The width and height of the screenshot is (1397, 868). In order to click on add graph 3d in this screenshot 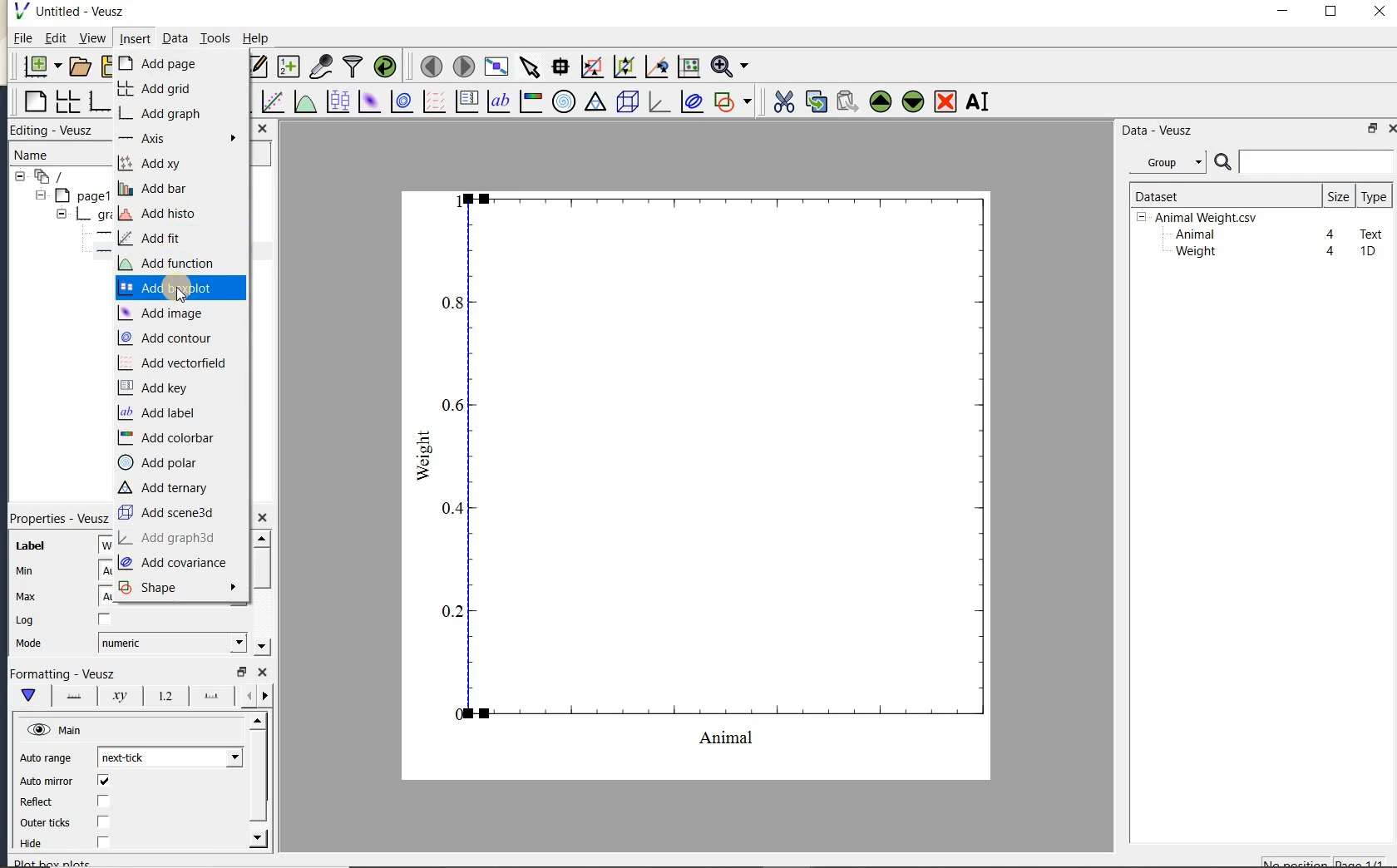, I will do `click(168, 539)`.